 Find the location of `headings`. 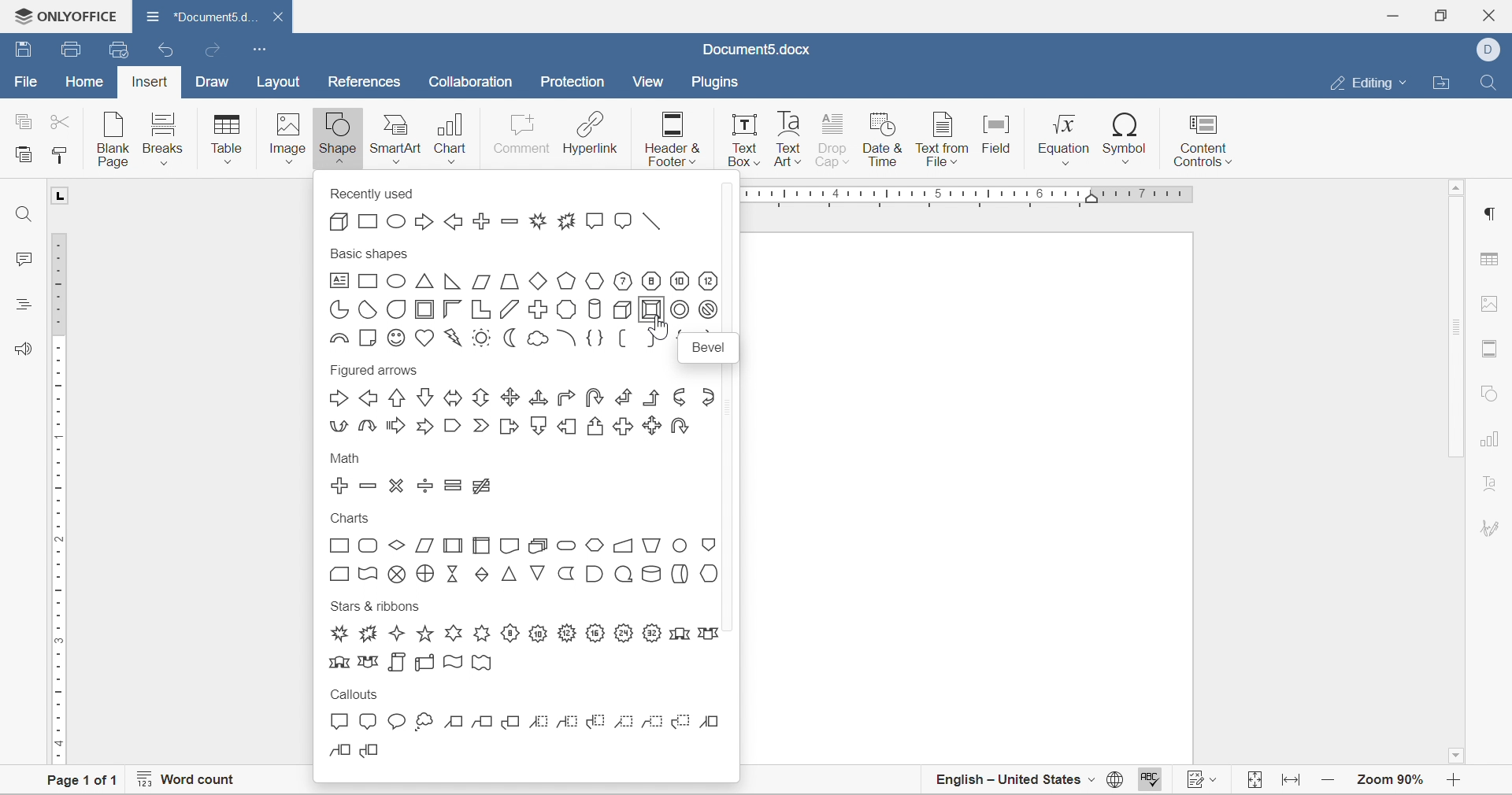

headings is located at coordinates (24, 304).